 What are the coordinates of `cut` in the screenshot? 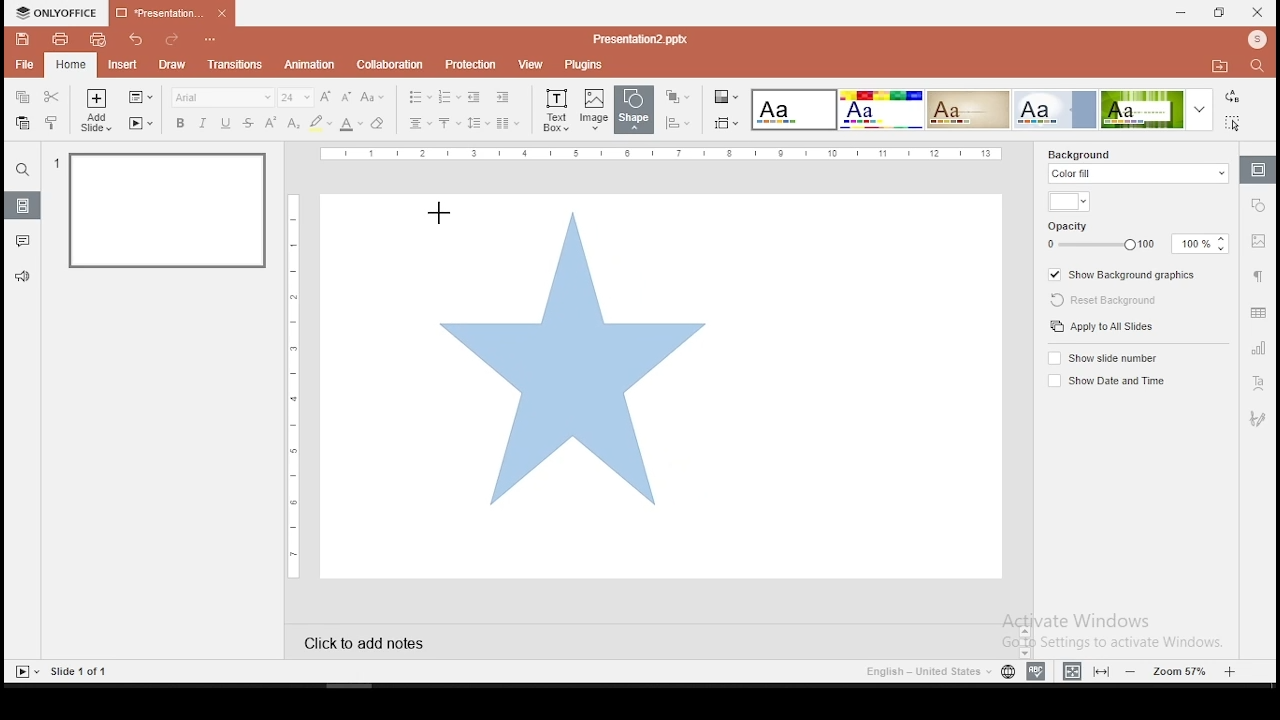 It's located at (51, 97).